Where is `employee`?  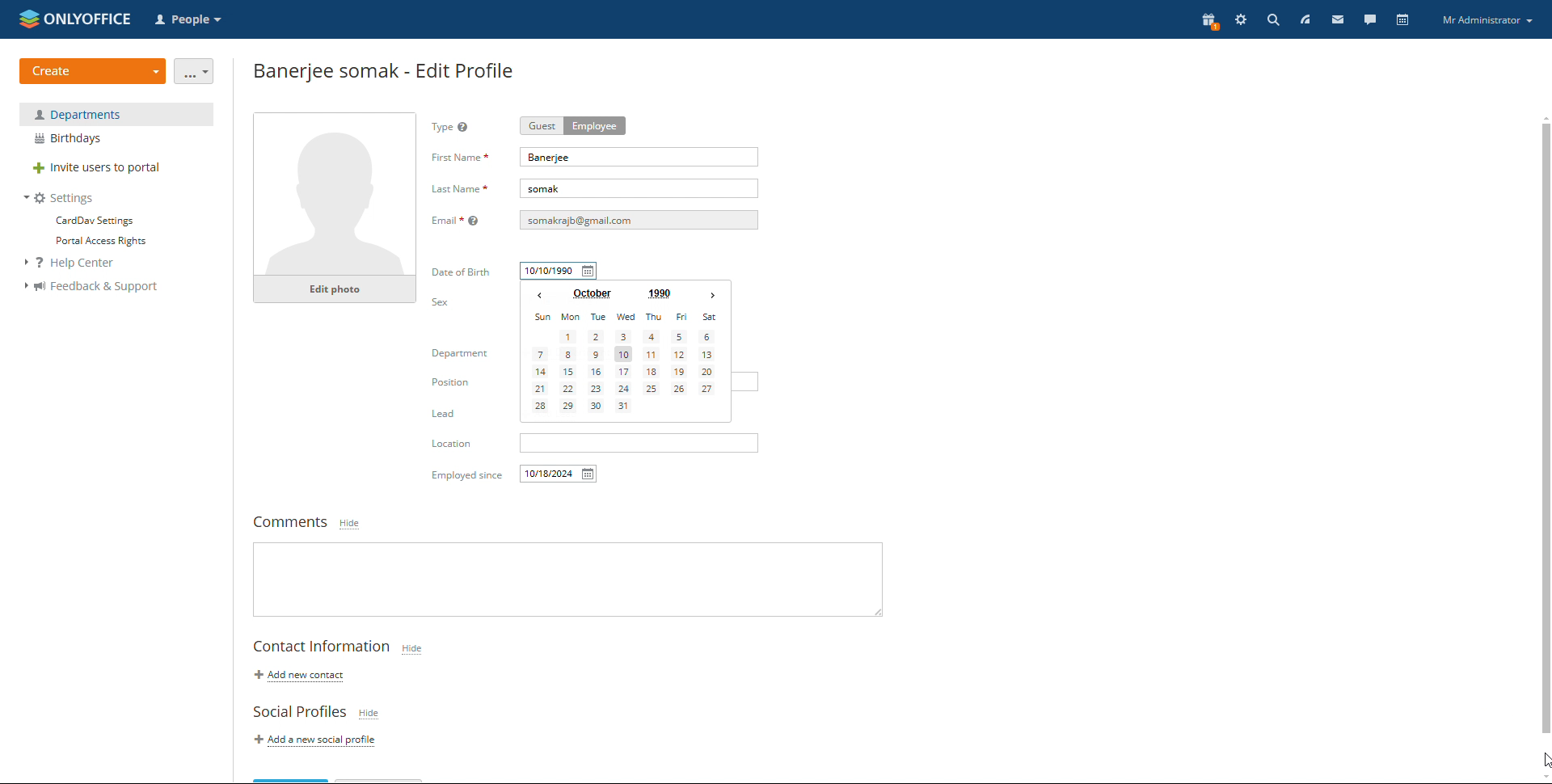
employee is located at coordinates (595, 125).